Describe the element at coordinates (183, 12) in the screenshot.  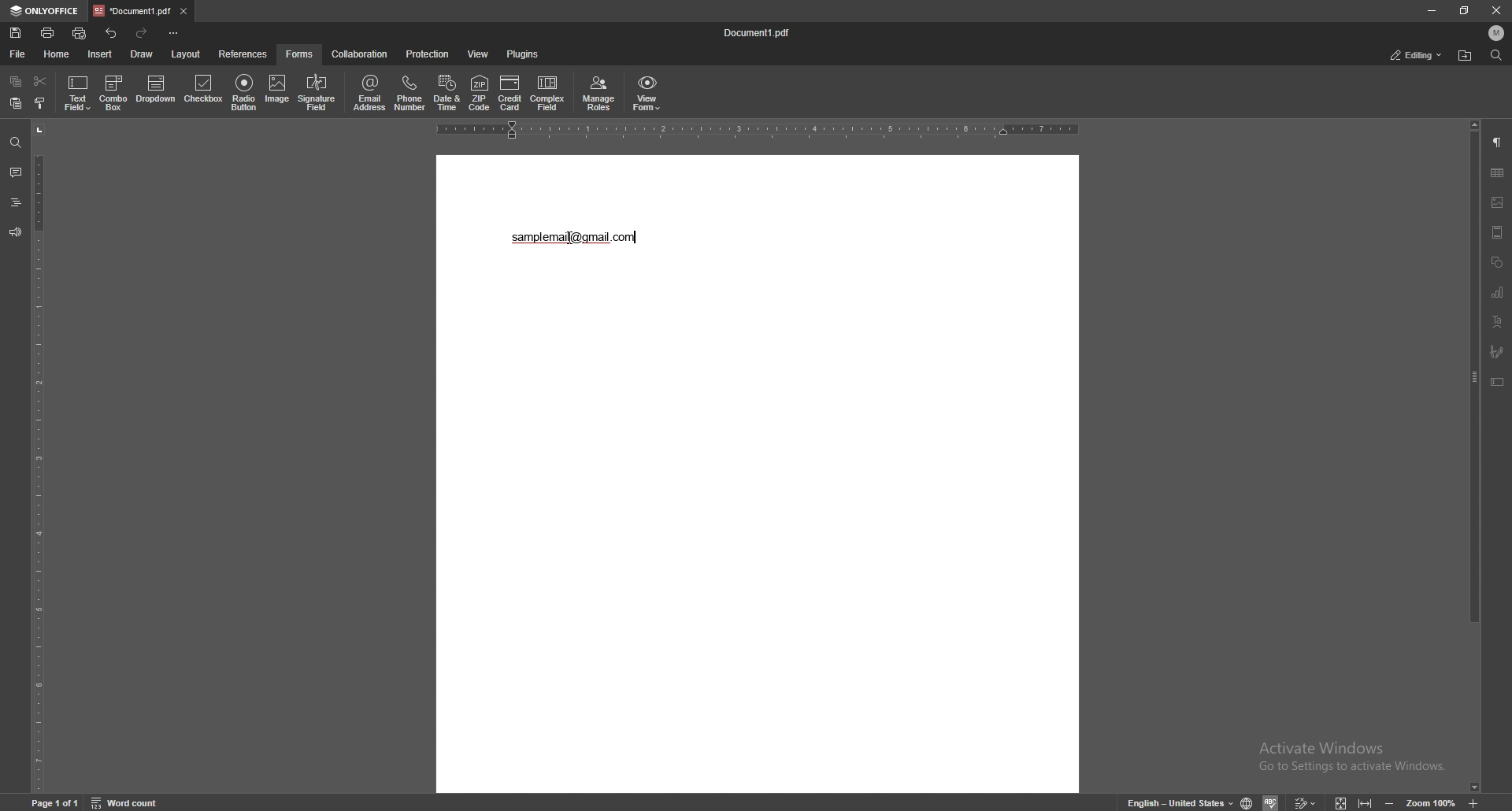
I see `close tab` at that location.